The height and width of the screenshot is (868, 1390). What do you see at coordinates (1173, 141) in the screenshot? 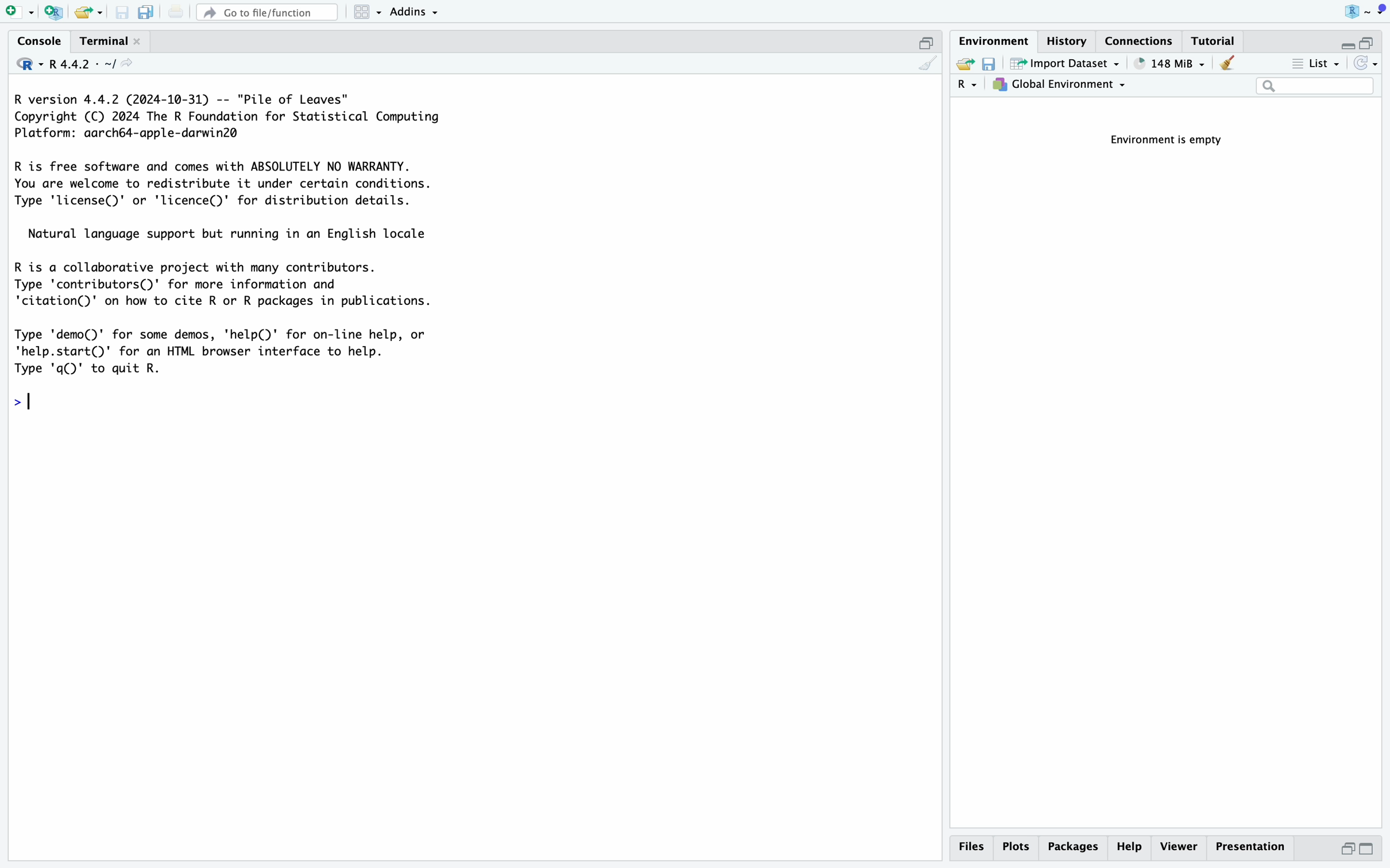
I see `Environment is empty` at bounding box center [1173, 141].